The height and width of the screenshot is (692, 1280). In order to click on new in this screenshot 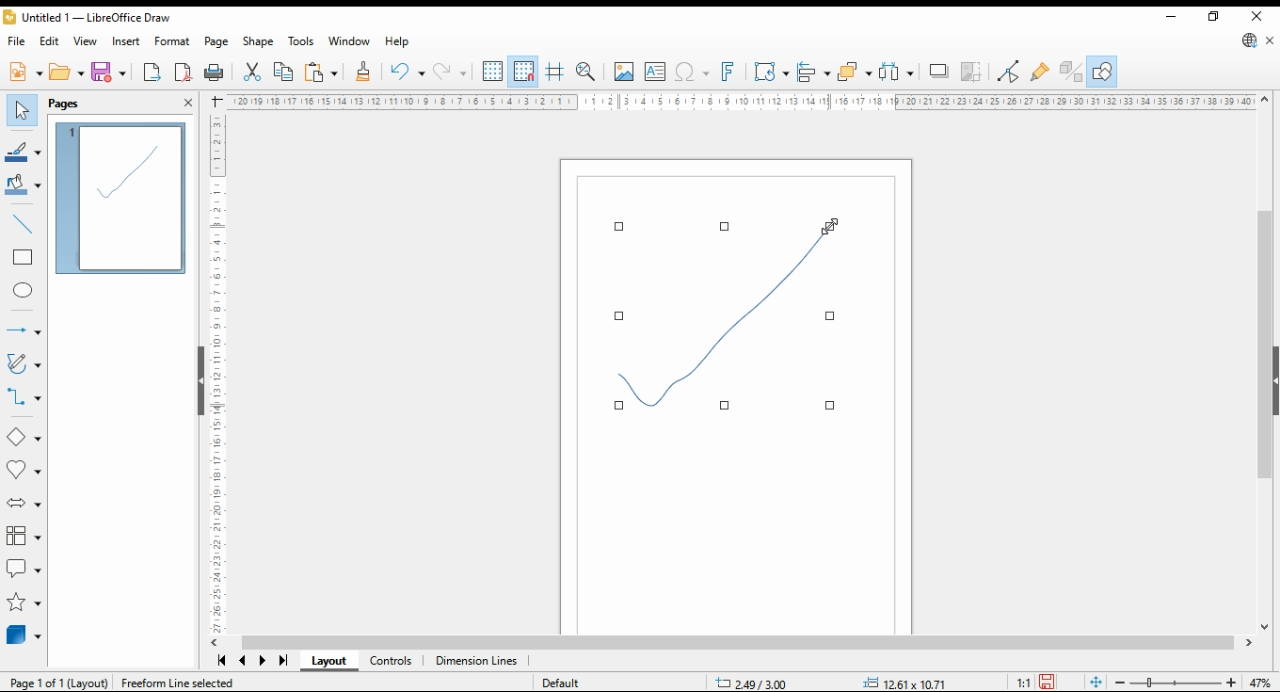, I will do `click(24, 74)`.